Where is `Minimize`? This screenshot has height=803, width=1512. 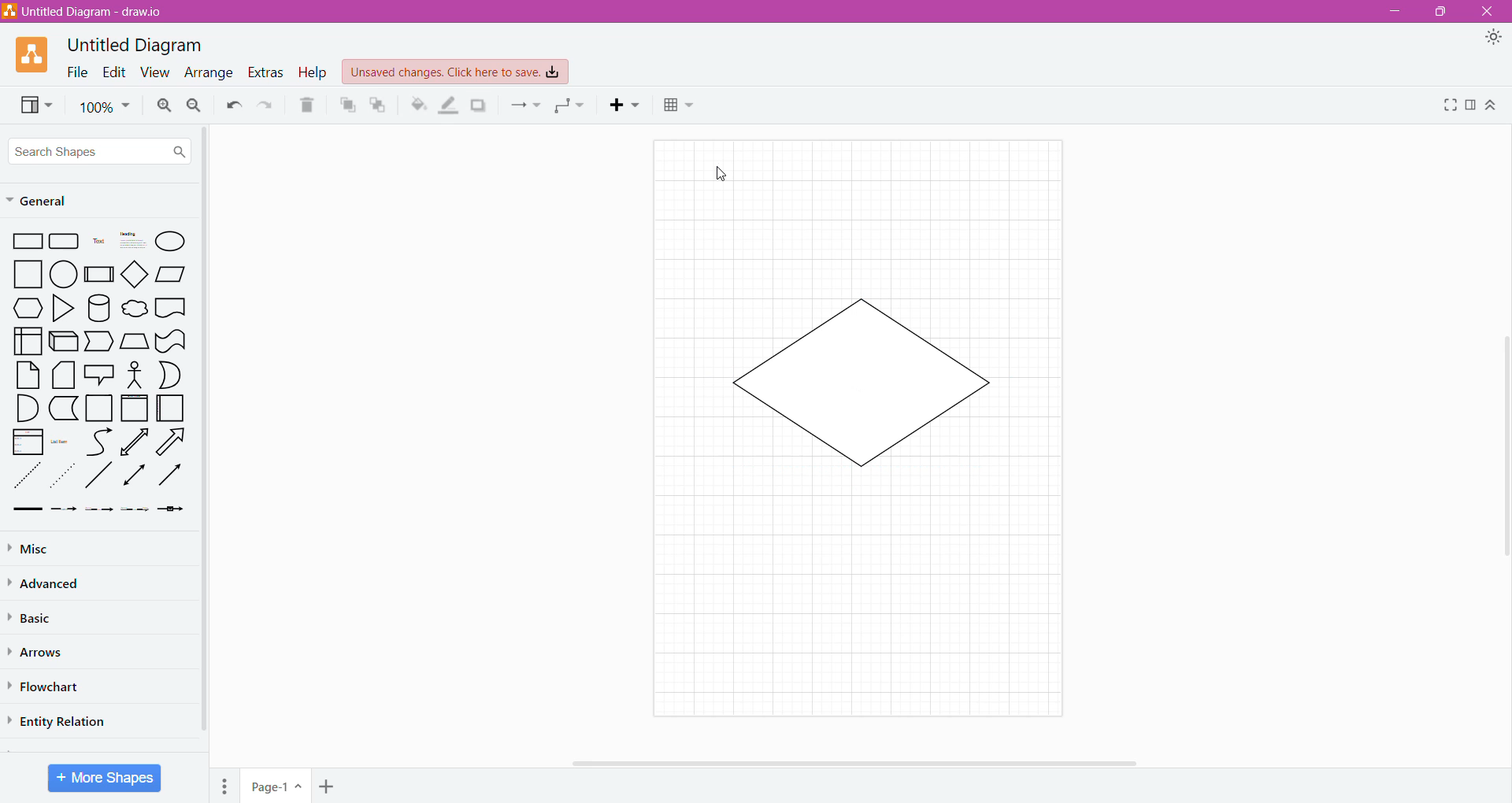
Minimize is located at coordinates (1391, 11).